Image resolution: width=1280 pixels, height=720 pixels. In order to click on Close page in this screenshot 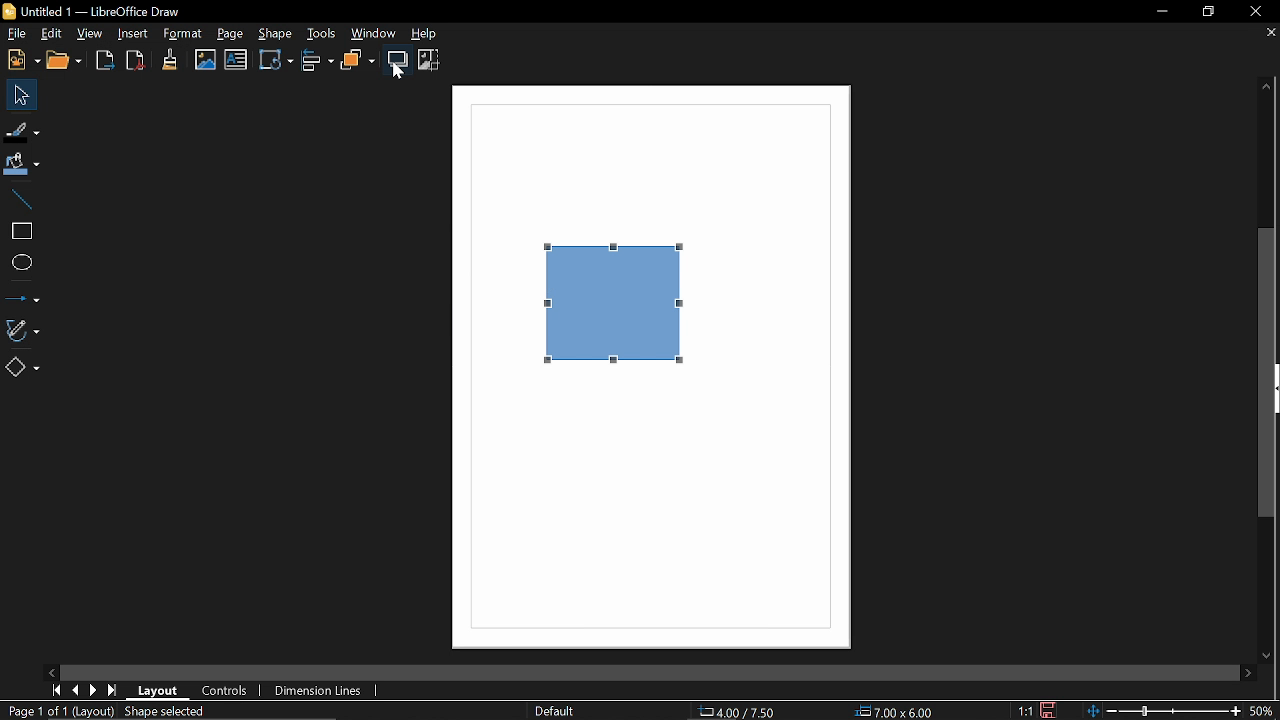, I will do `click(1269, 34)`.